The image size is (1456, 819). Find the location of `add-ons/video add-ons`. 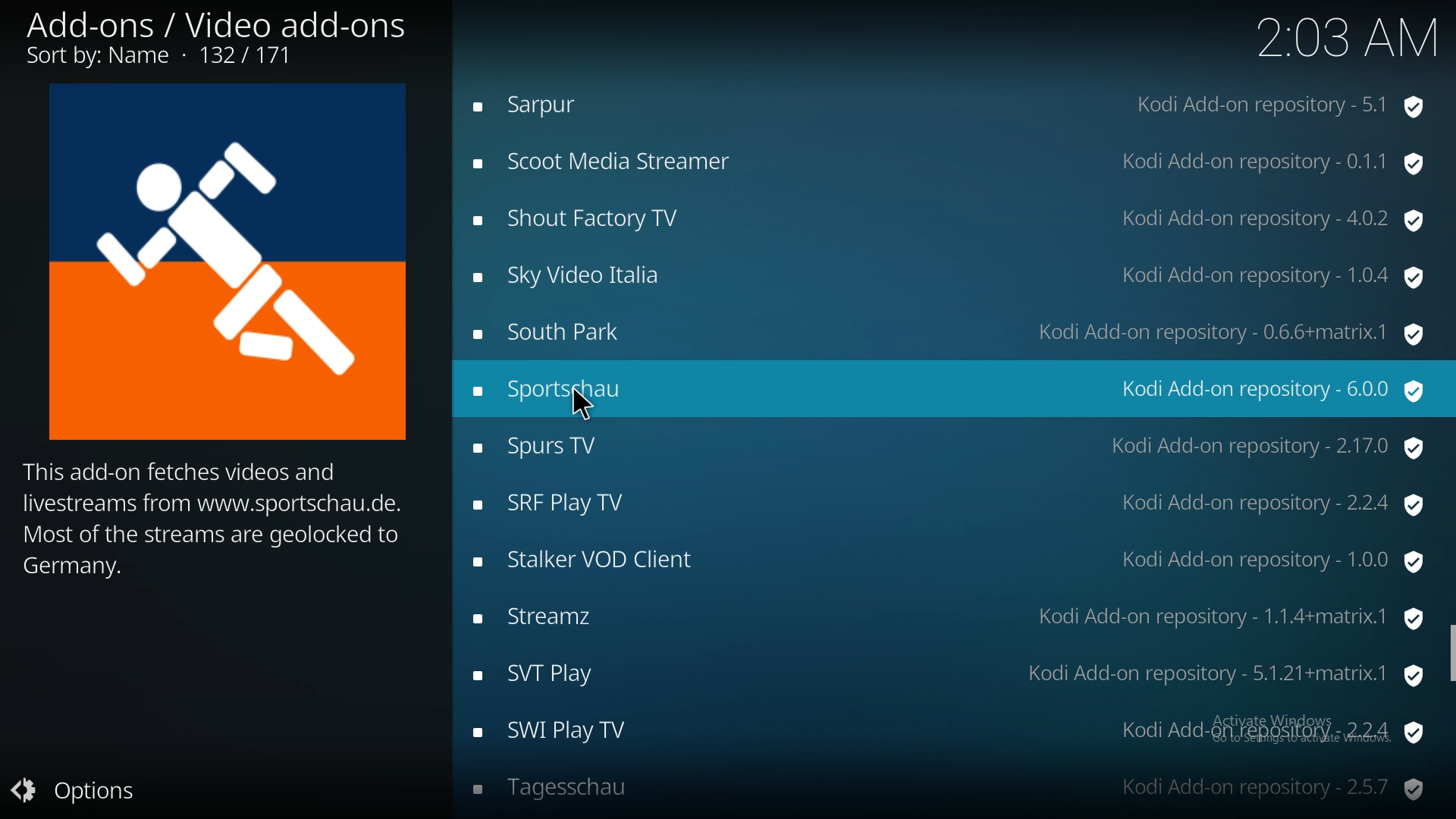

add-ons/video add-ons is located at coordinates (226, 36).